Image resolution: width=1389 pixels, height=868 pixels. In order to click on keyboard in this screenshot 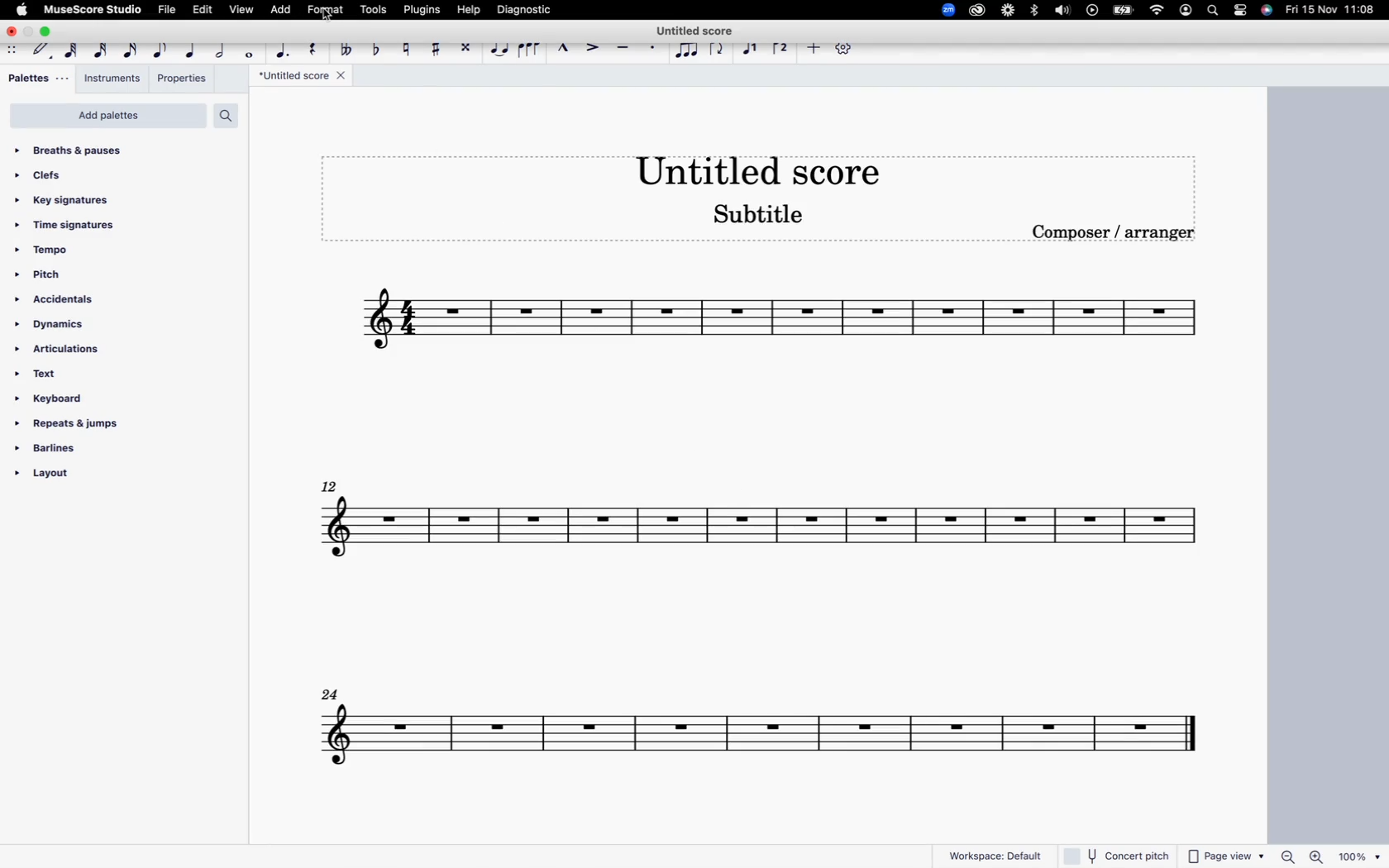, I will do `click(51, 398)`.